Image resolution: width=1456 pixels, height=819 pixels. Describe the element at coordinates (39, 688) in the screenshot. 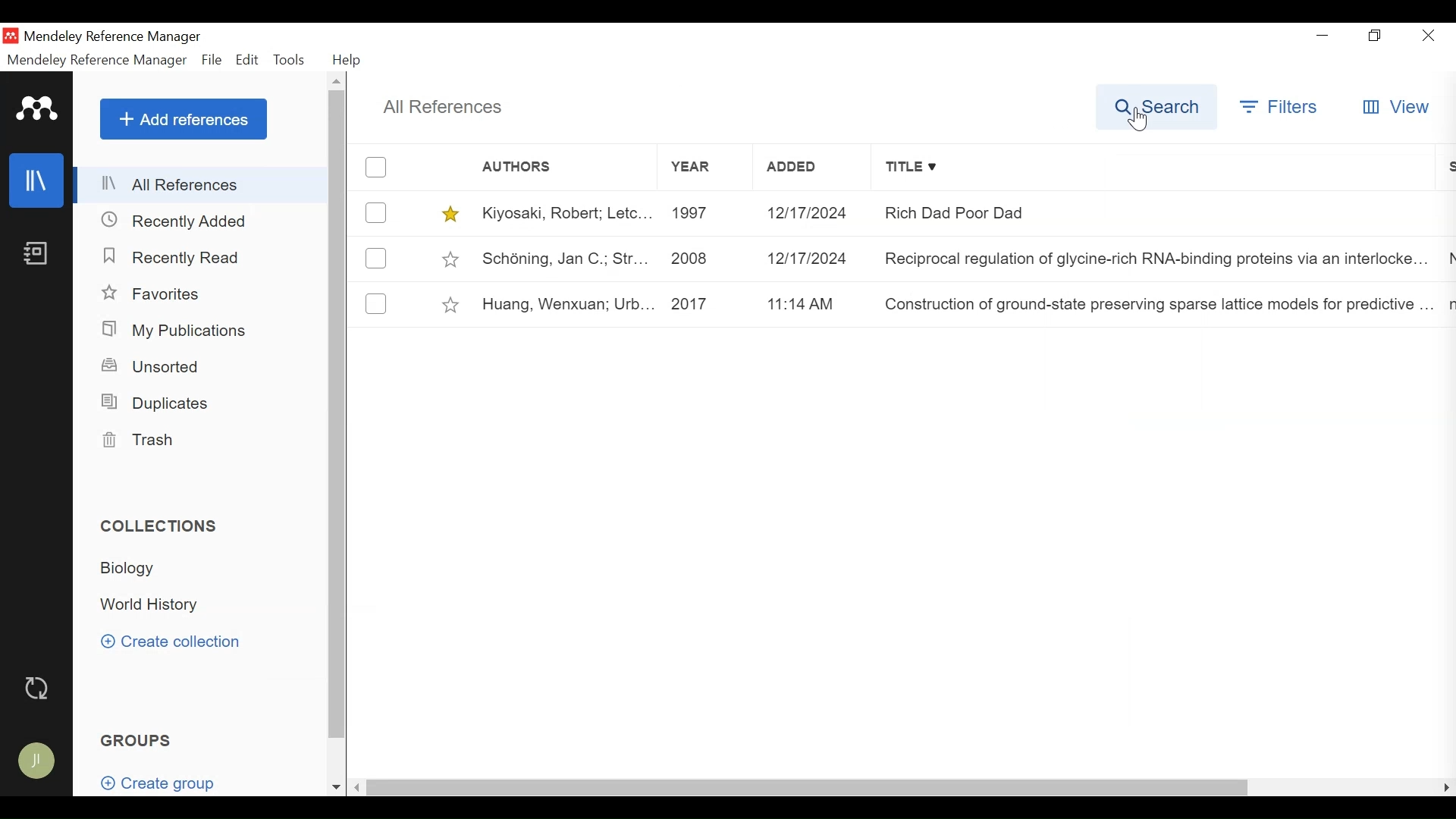

I see `Sync` at that location.